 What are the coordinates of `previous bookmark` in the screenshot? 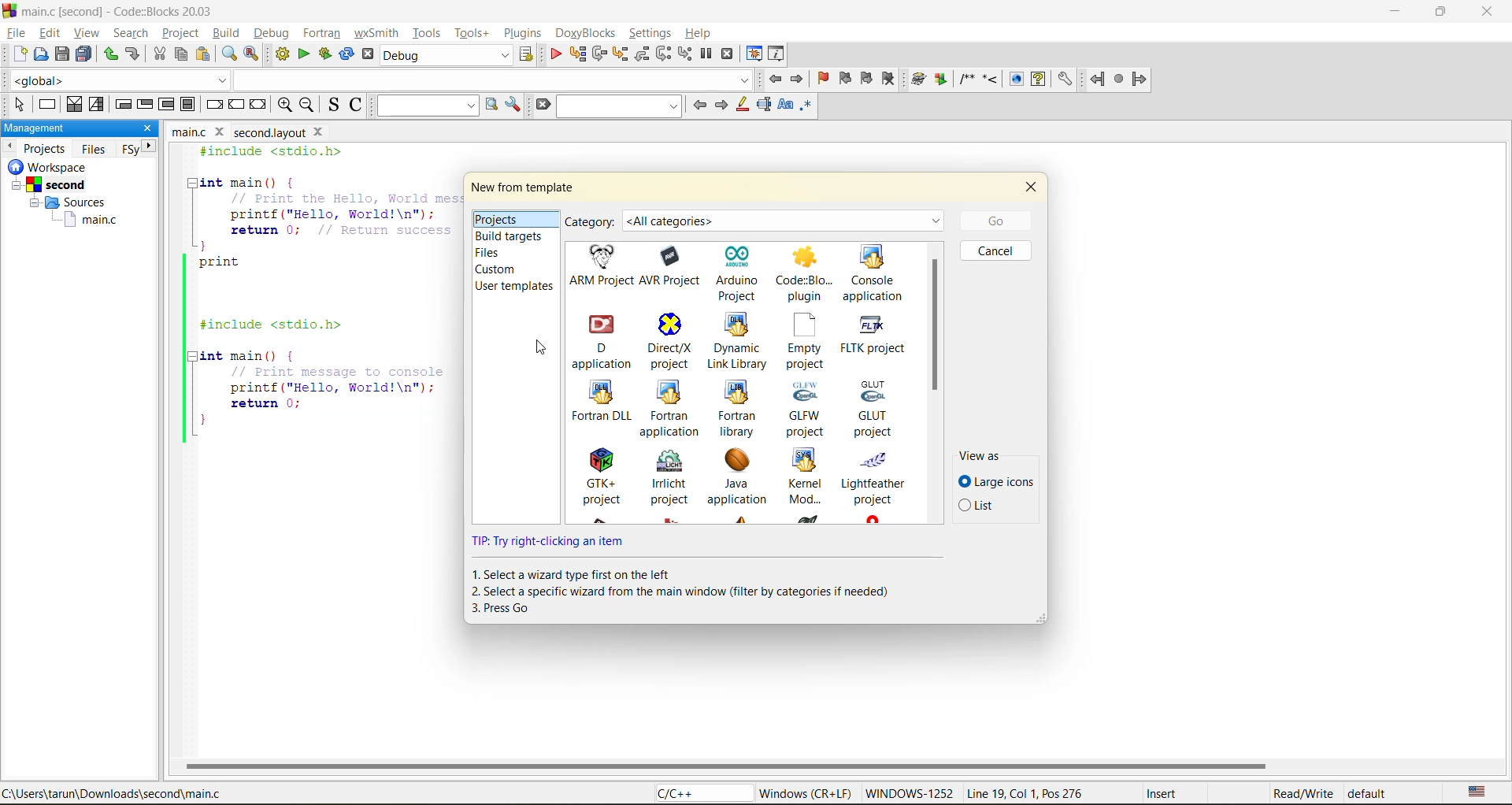 It's located at (843, 80).